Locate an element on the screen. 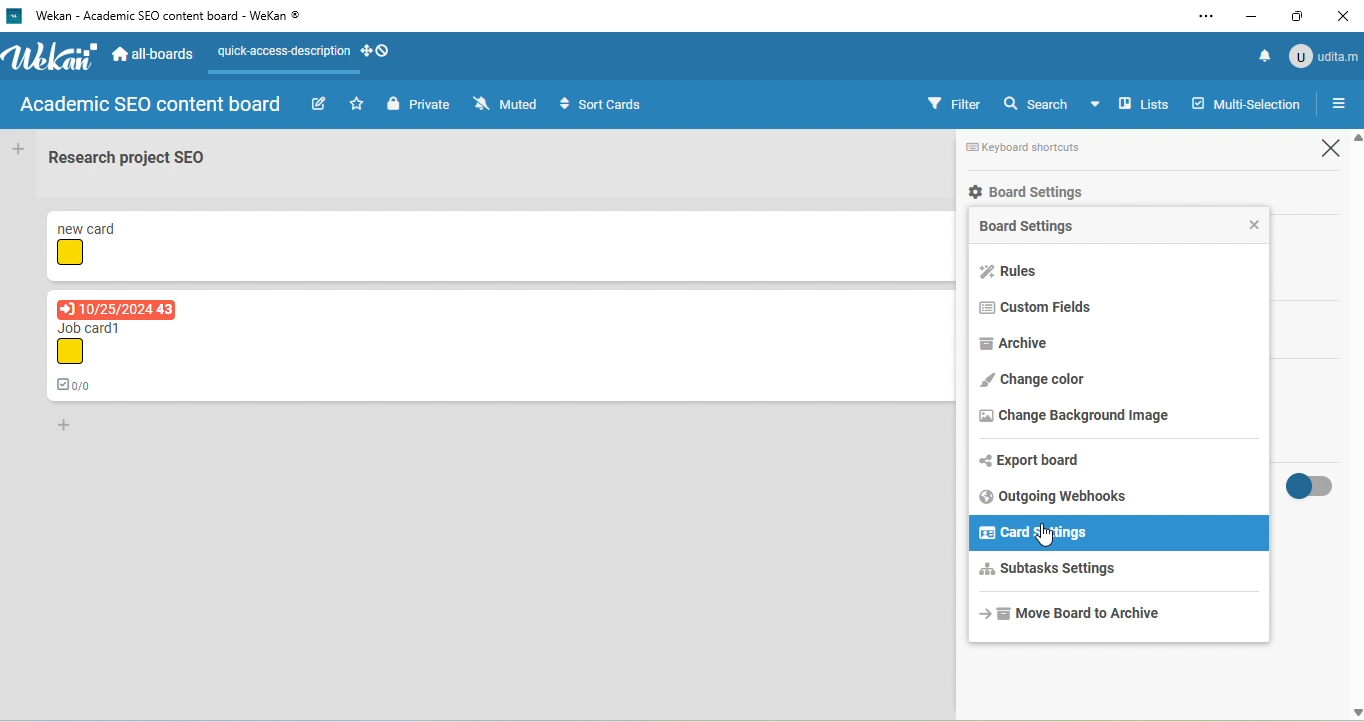 This screenshot has height=722, width=1364. keyboard shortcuts is located at coordinates (1027, 151).